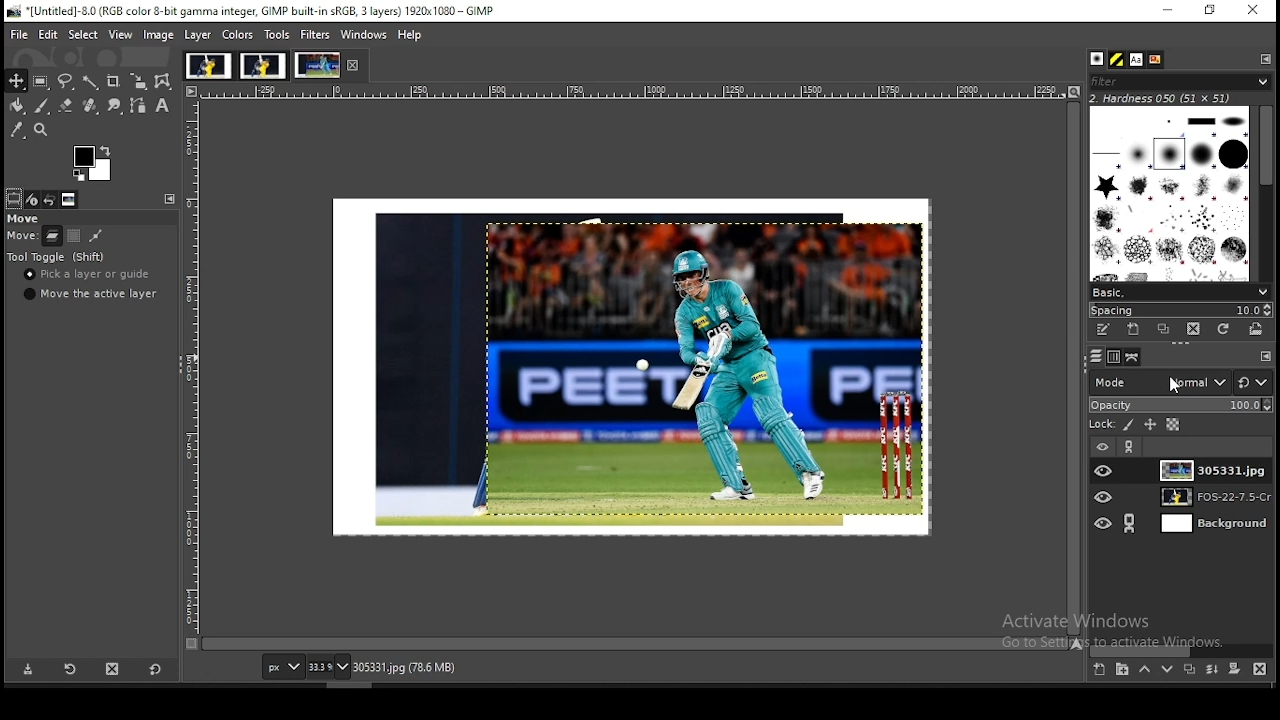  I want to click on scale tool, so click(139, 81).